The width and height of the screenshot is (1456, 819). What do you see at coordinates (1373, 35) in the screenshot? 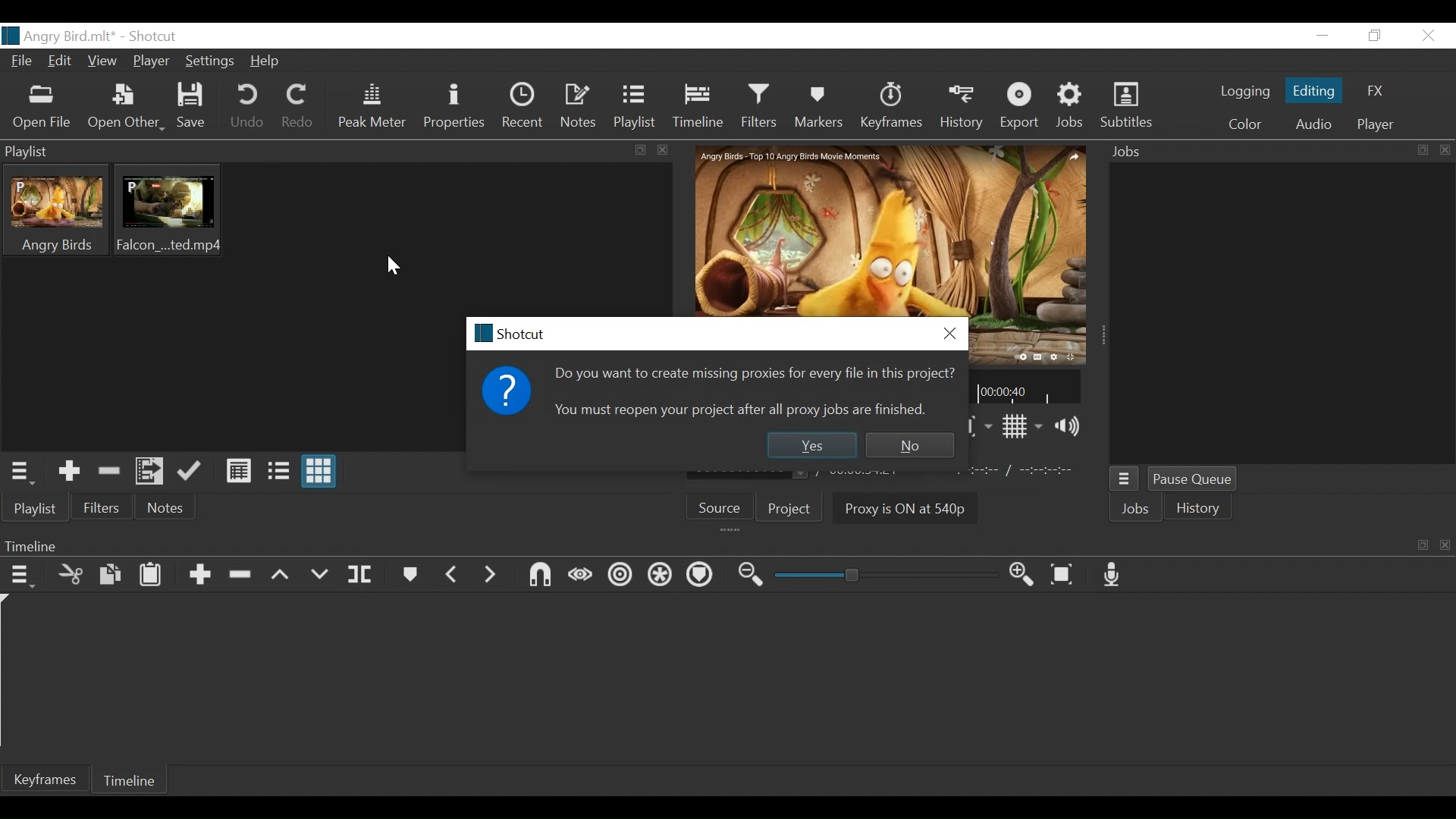
I see `Restore` at bounding box center [1373, 35].